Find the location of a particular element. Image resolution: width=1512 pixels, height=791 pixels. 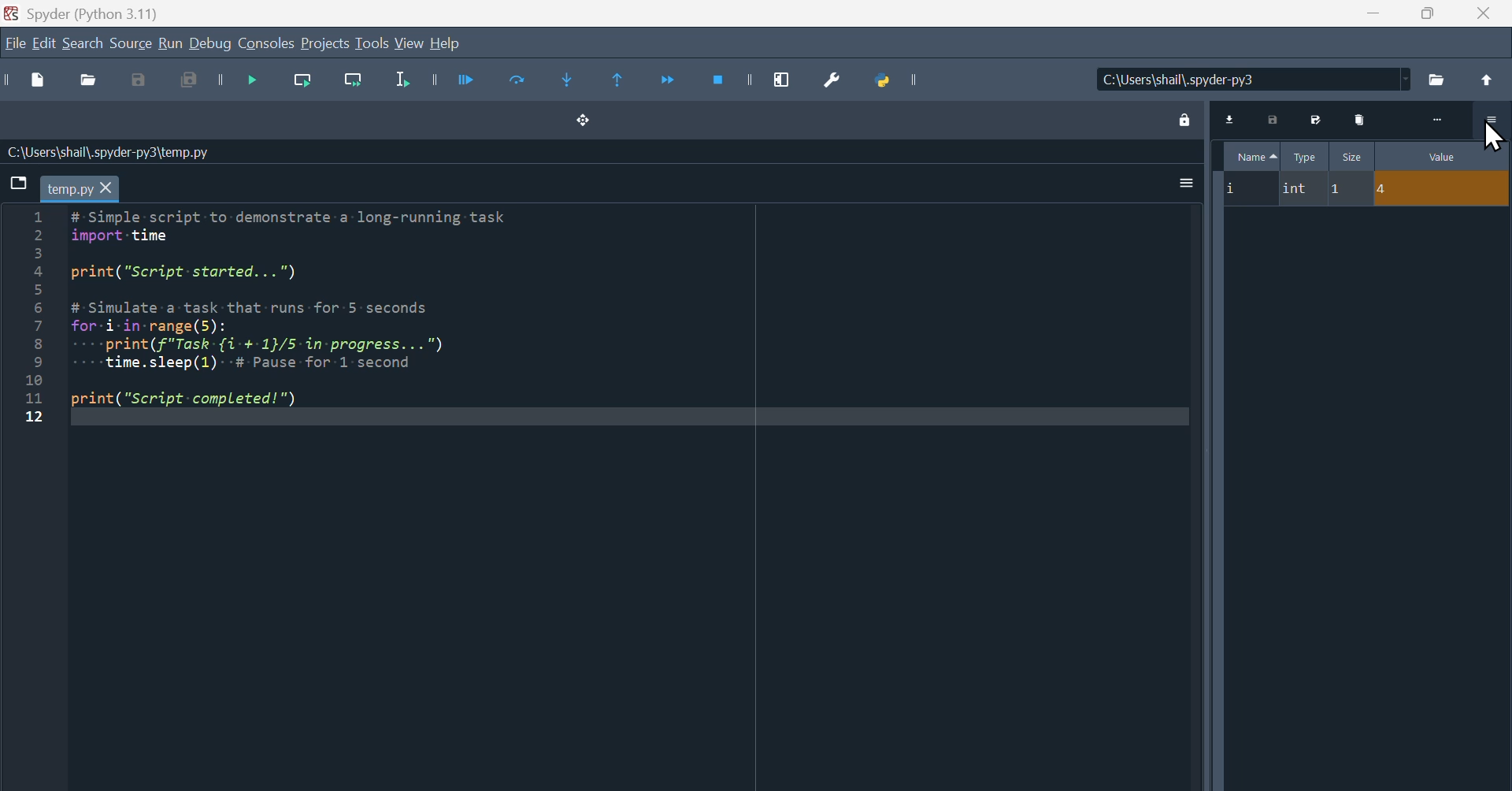

Type is located at coordinates (1306, 156).